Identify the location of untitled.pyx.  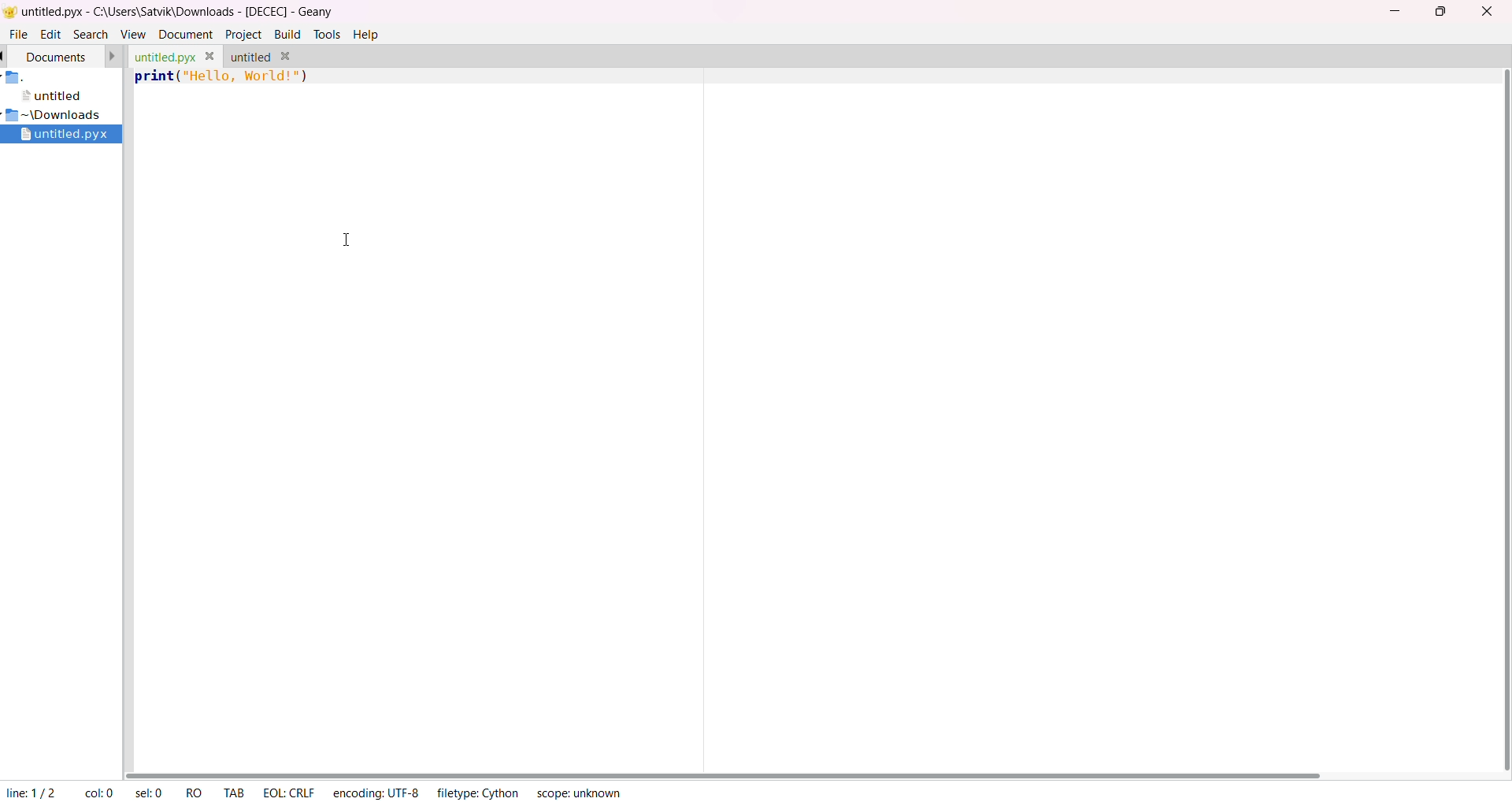
(61, 133).